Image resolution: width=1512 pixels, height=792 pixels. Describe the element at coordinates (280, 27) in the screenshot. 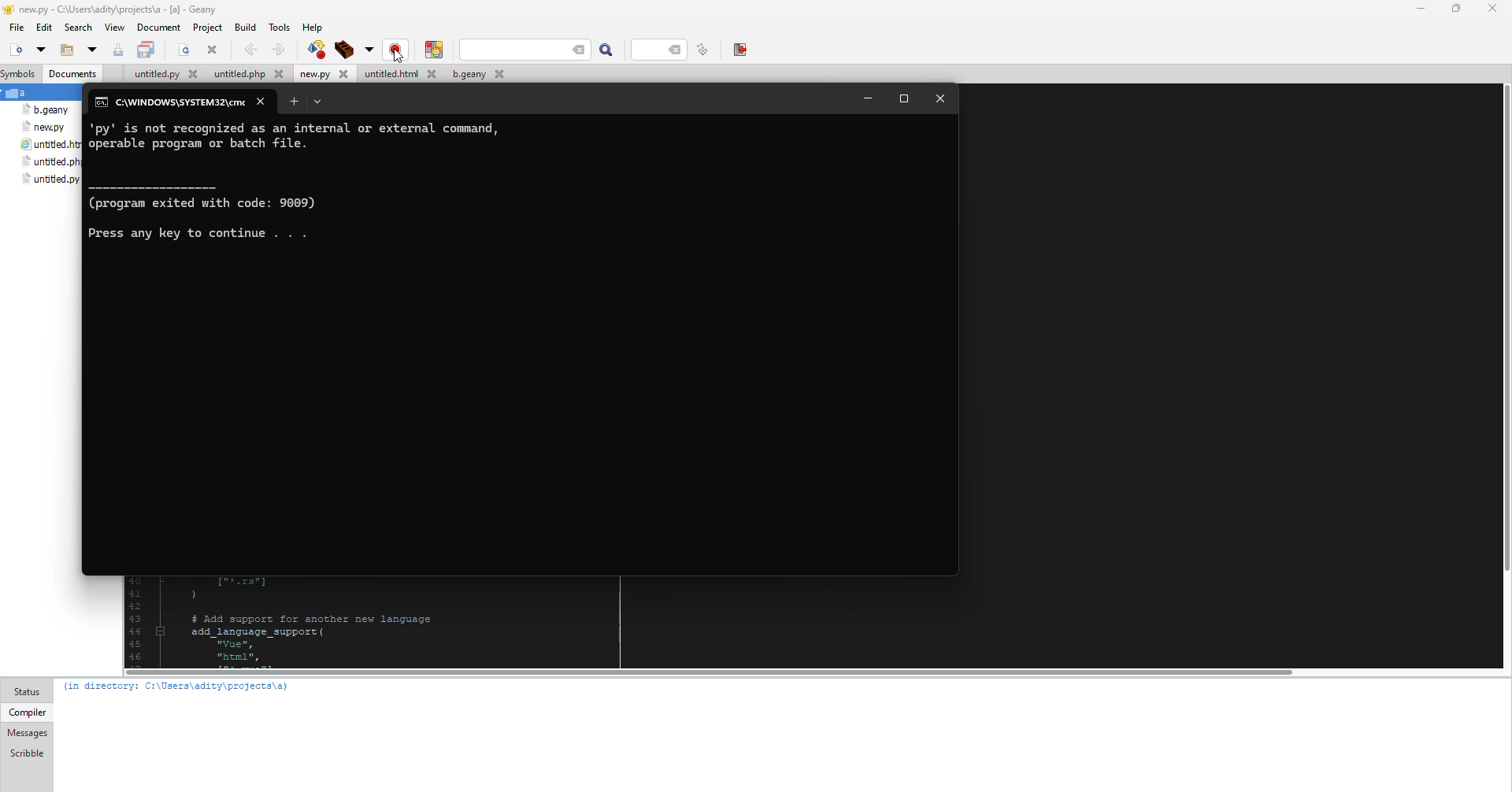

I see `tools` at that location.